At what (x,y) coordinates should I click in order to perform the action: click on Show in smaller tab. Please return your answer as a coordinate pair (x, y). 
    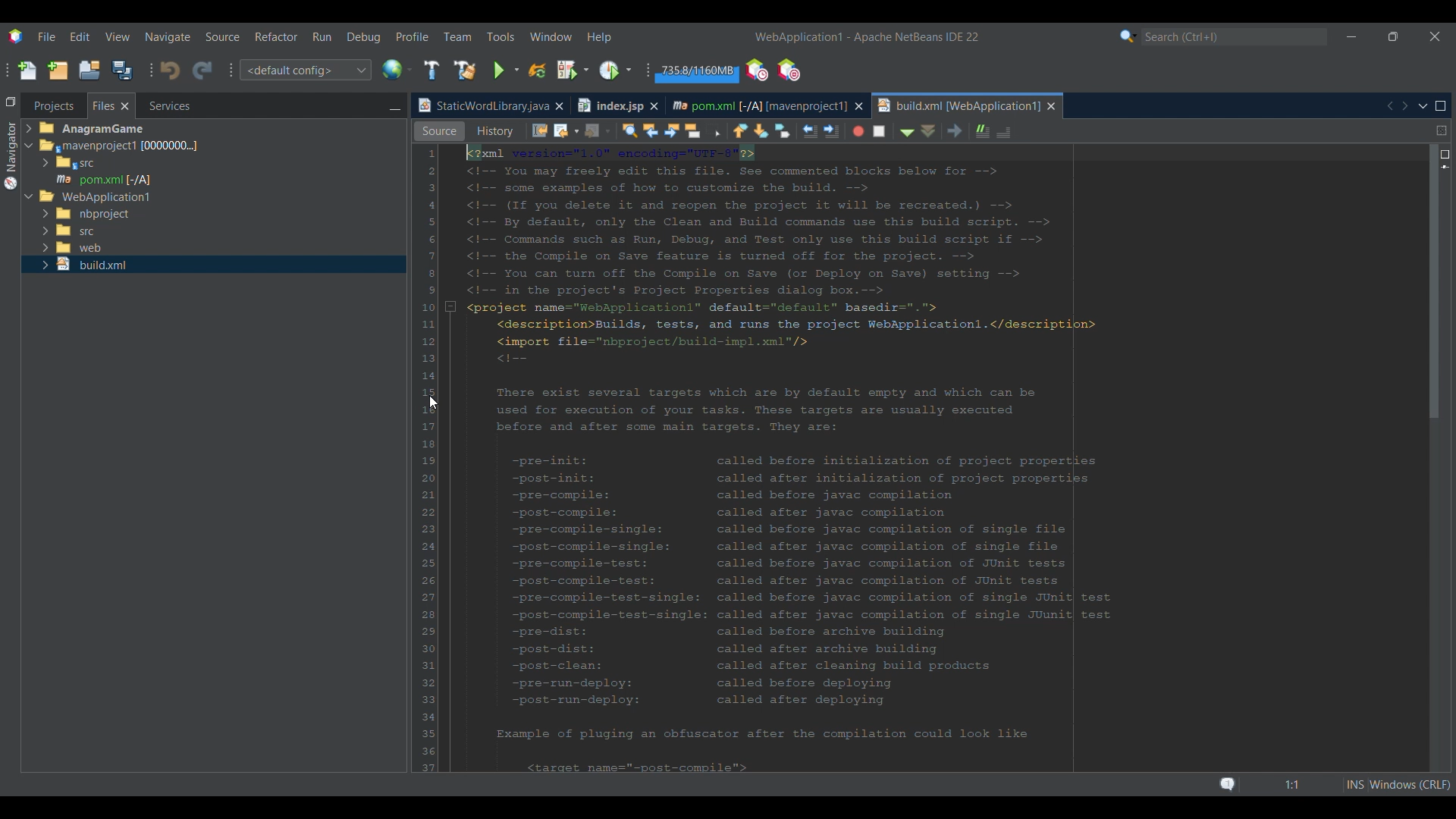
    Looking at the image, I should click on (1393, 36).